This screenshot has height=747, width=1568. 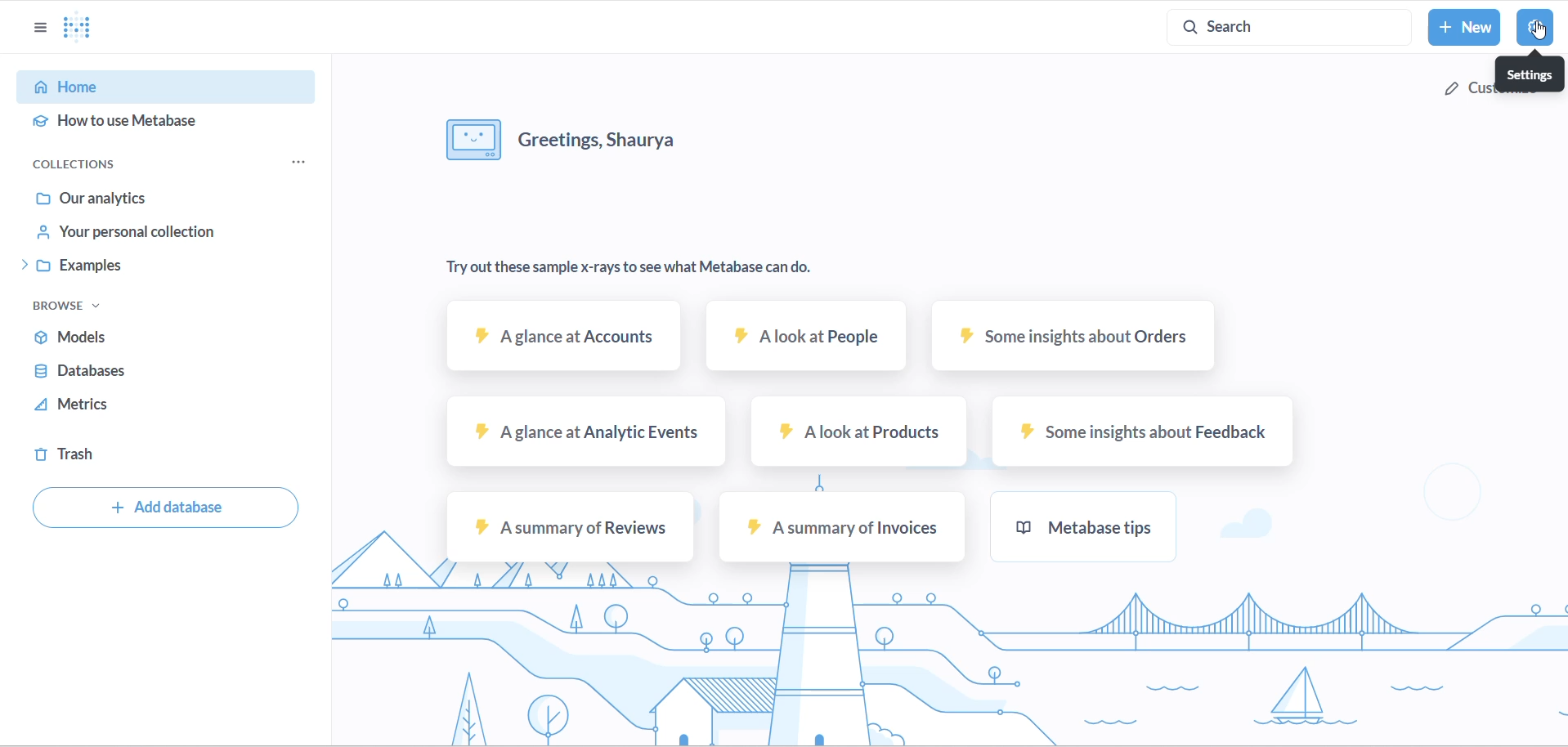 What do you see at coordinates (147, 88) in the screenshot?
I see `home` at bounding box center [147, 88].